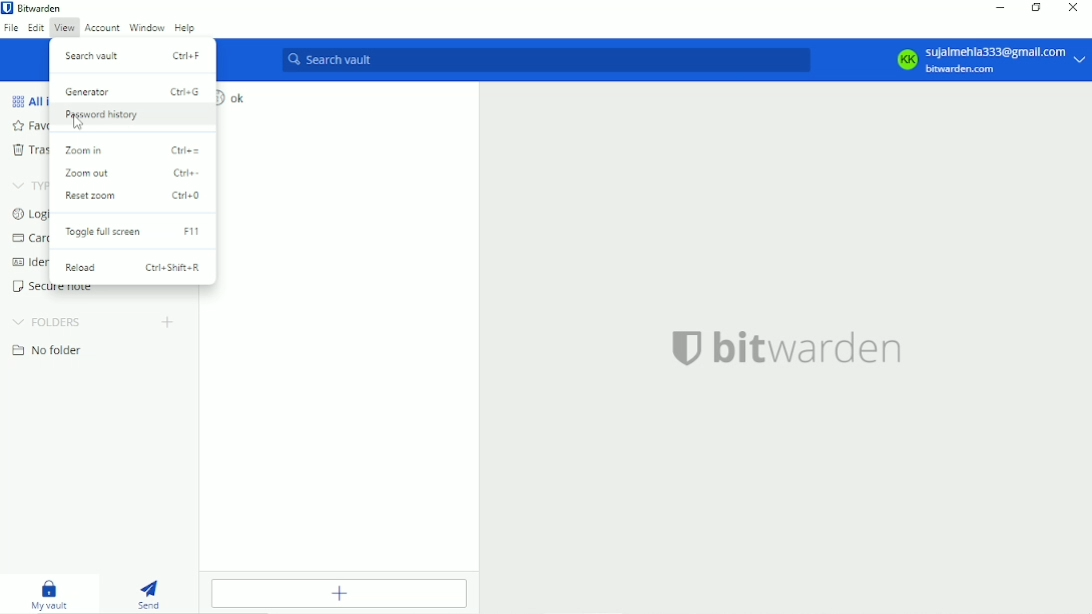  Describe the element at coordinates (186, 27) in the screenshot. I see `Help` at that location.